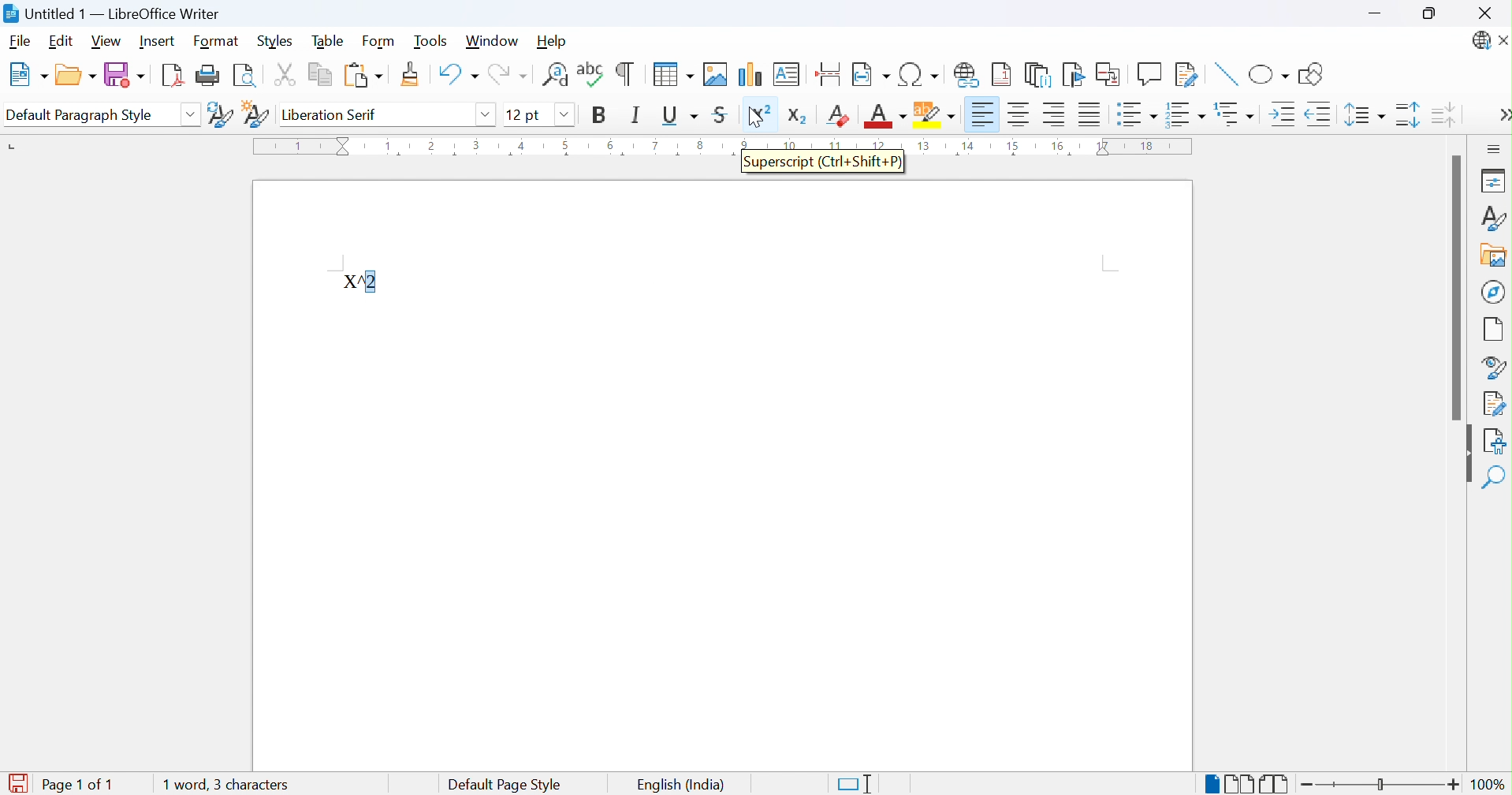 The width and height of the screenshot is (1512, 795). What do you see at coordinates (717, 73) in the screenshot?
I see `Insert image` at bounding box center [717, 73].